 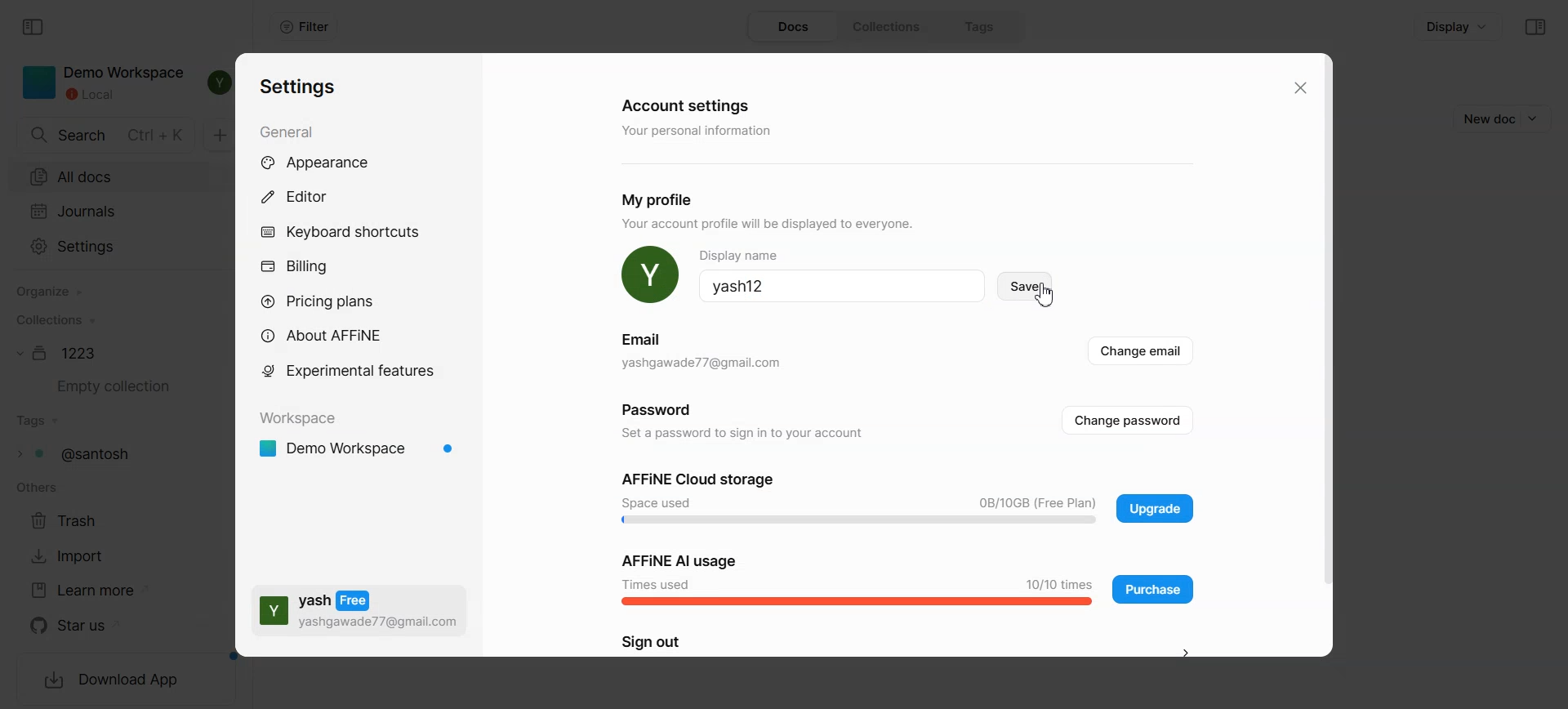 I want to click on Collections, so click(x=54, y=319).